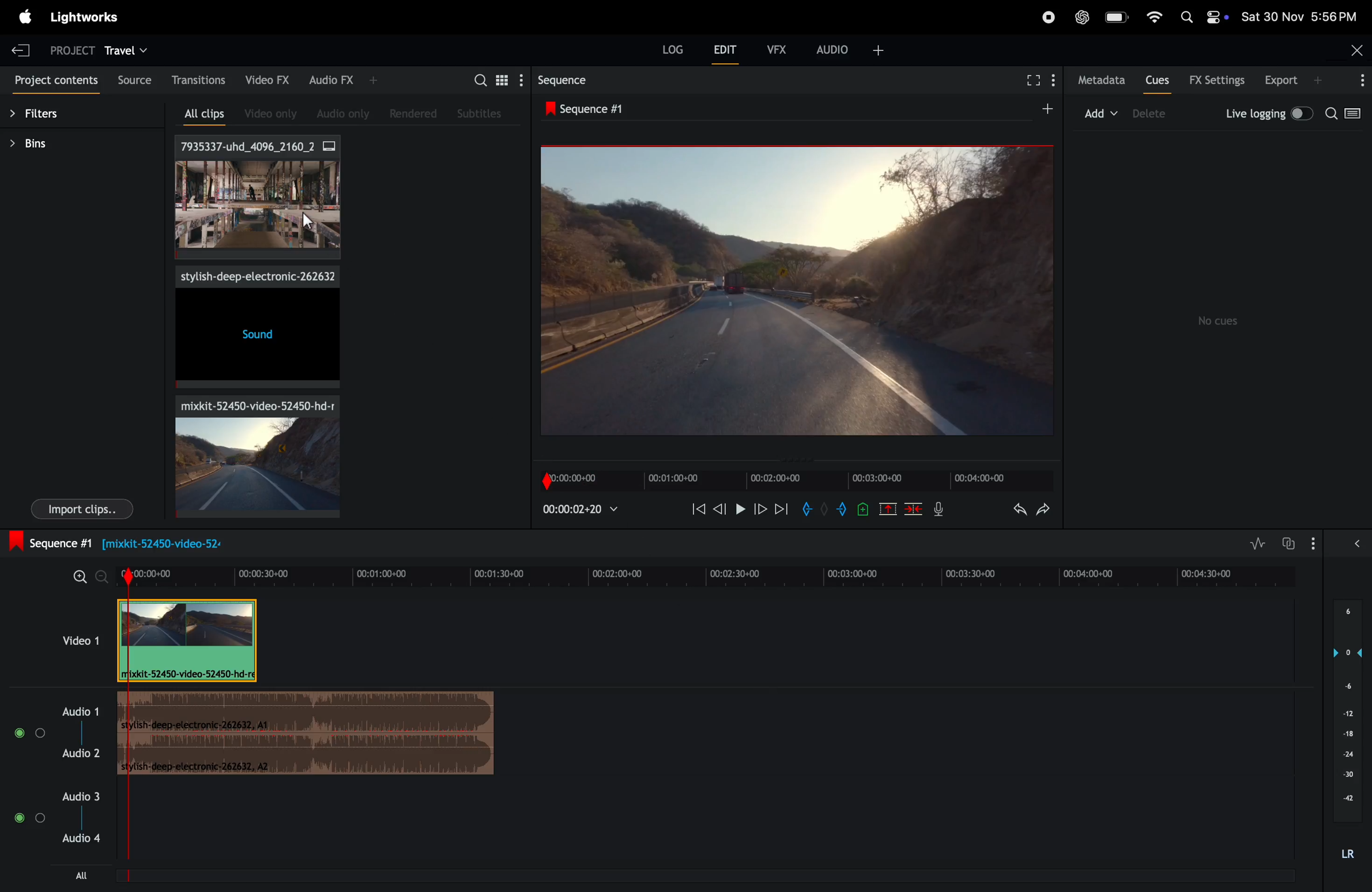 This screenshot has height=892, width=1372. Describe the element at coordinates (665, 50) in the screenshot. I see `log` at that location.